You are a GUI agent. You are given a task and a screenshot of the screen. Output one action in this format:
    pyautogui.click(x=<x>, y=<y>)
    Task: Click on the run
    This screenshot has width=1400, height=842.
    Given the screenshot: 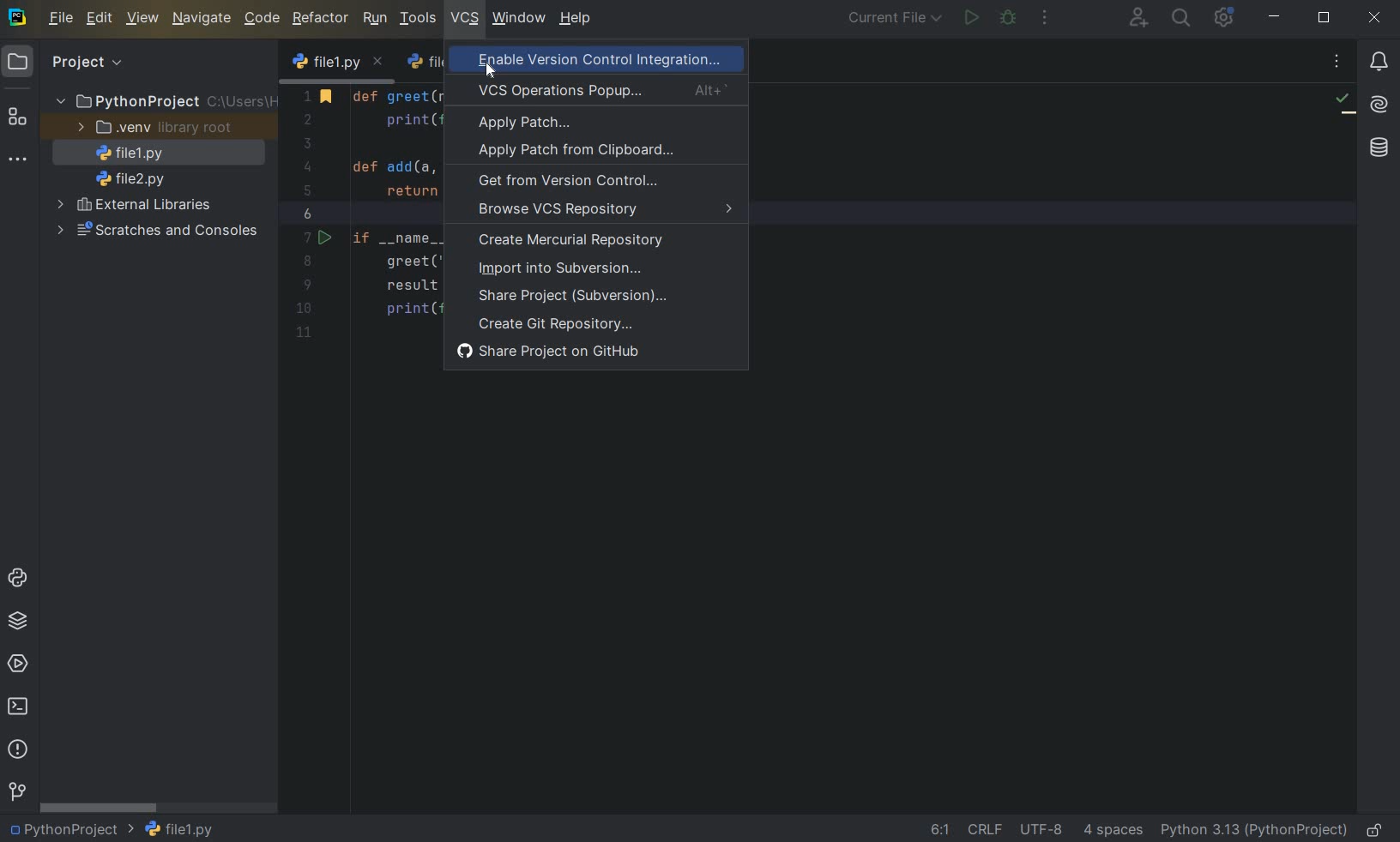 What is the action you would take?
    pyautogui.click(x=374, y=19)
    